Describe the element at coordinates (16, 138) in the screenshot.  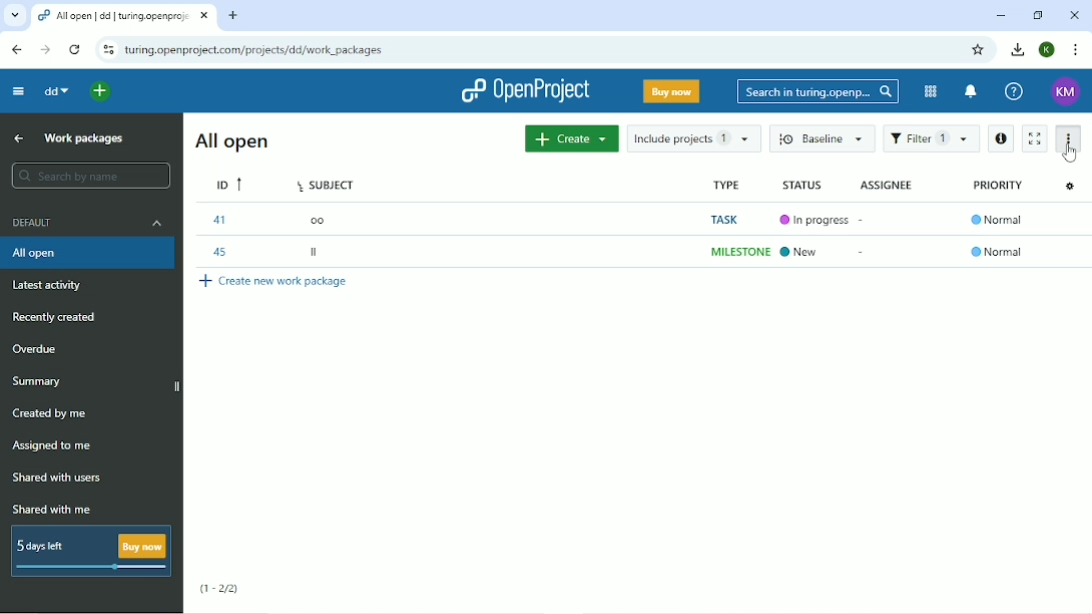
I see `Up` at that location.